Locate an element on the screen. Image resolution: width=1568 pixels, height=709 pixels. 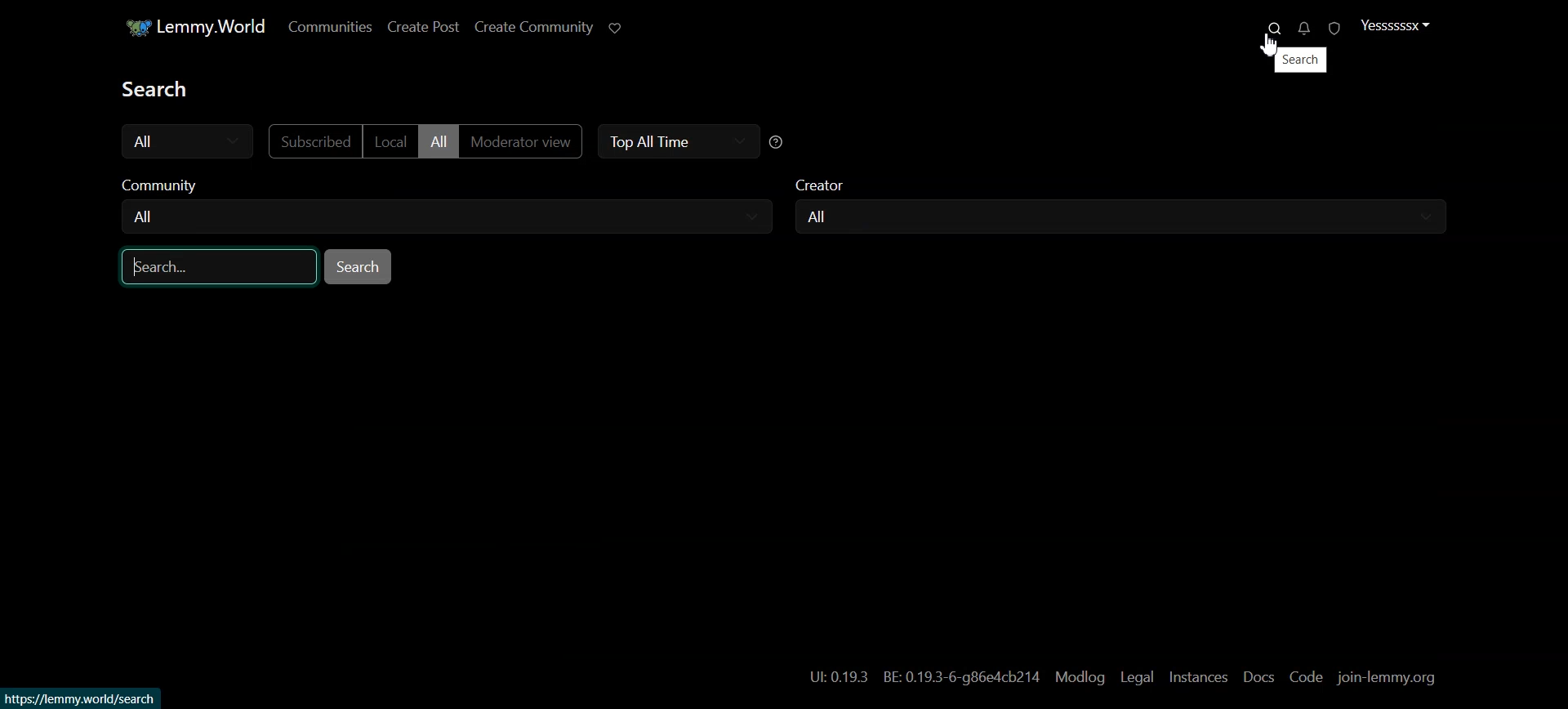
Home Page is located at coordinates (186, 26).